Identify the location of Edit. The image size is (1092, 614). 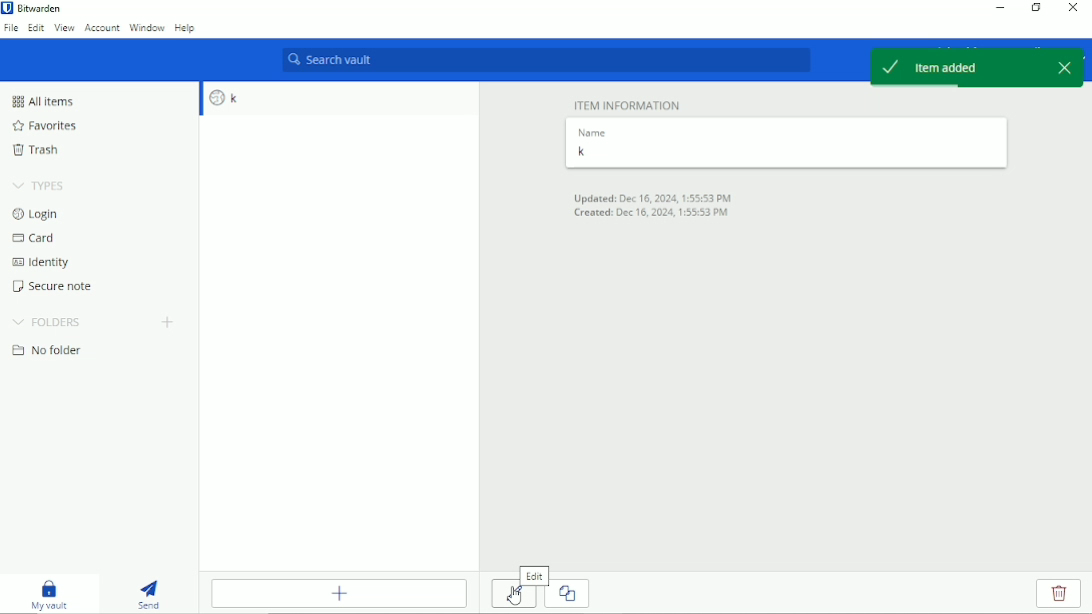
(535, 575).